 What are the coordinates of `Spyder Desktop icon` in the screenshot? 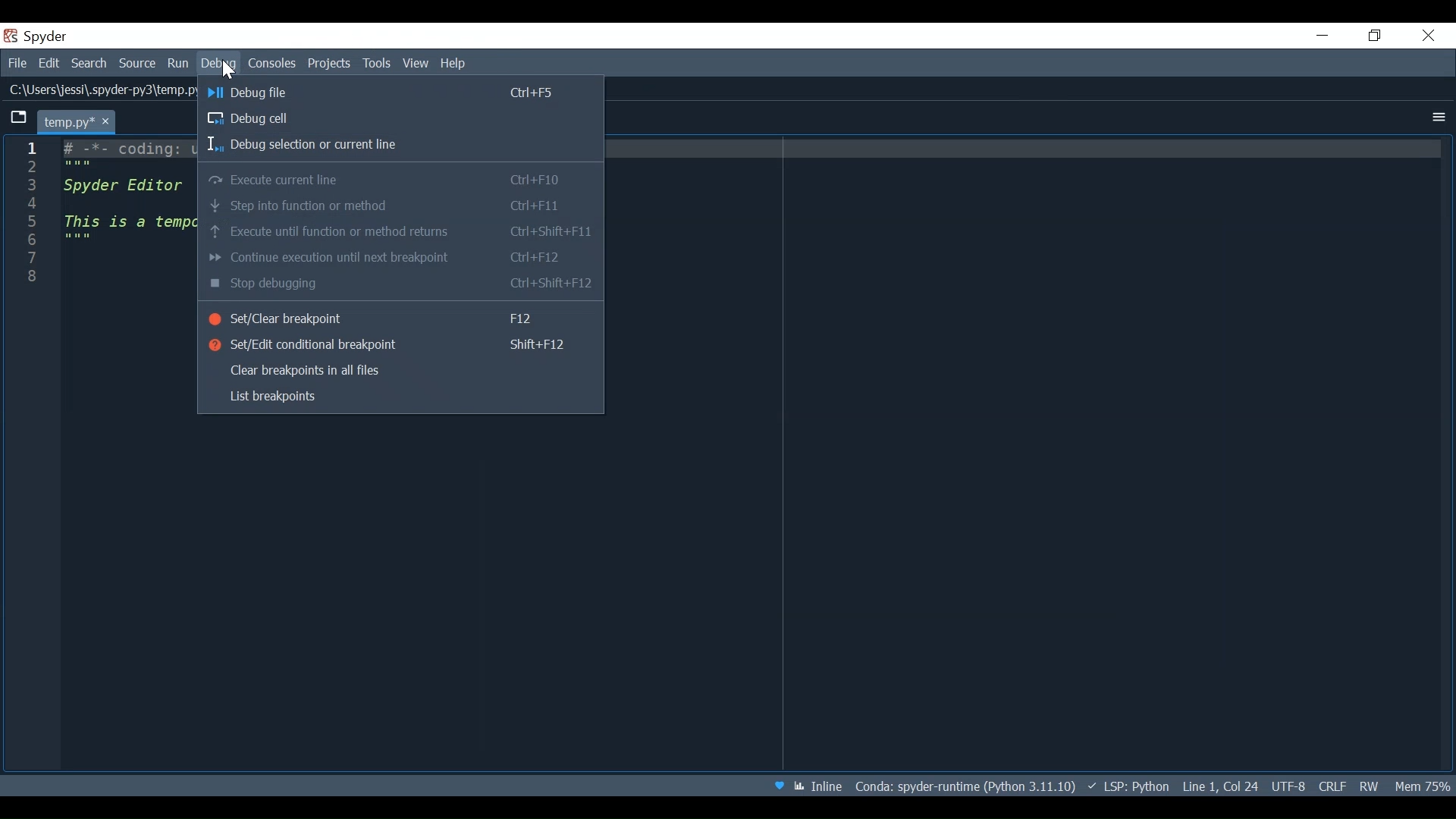 It's located at (38, 35).